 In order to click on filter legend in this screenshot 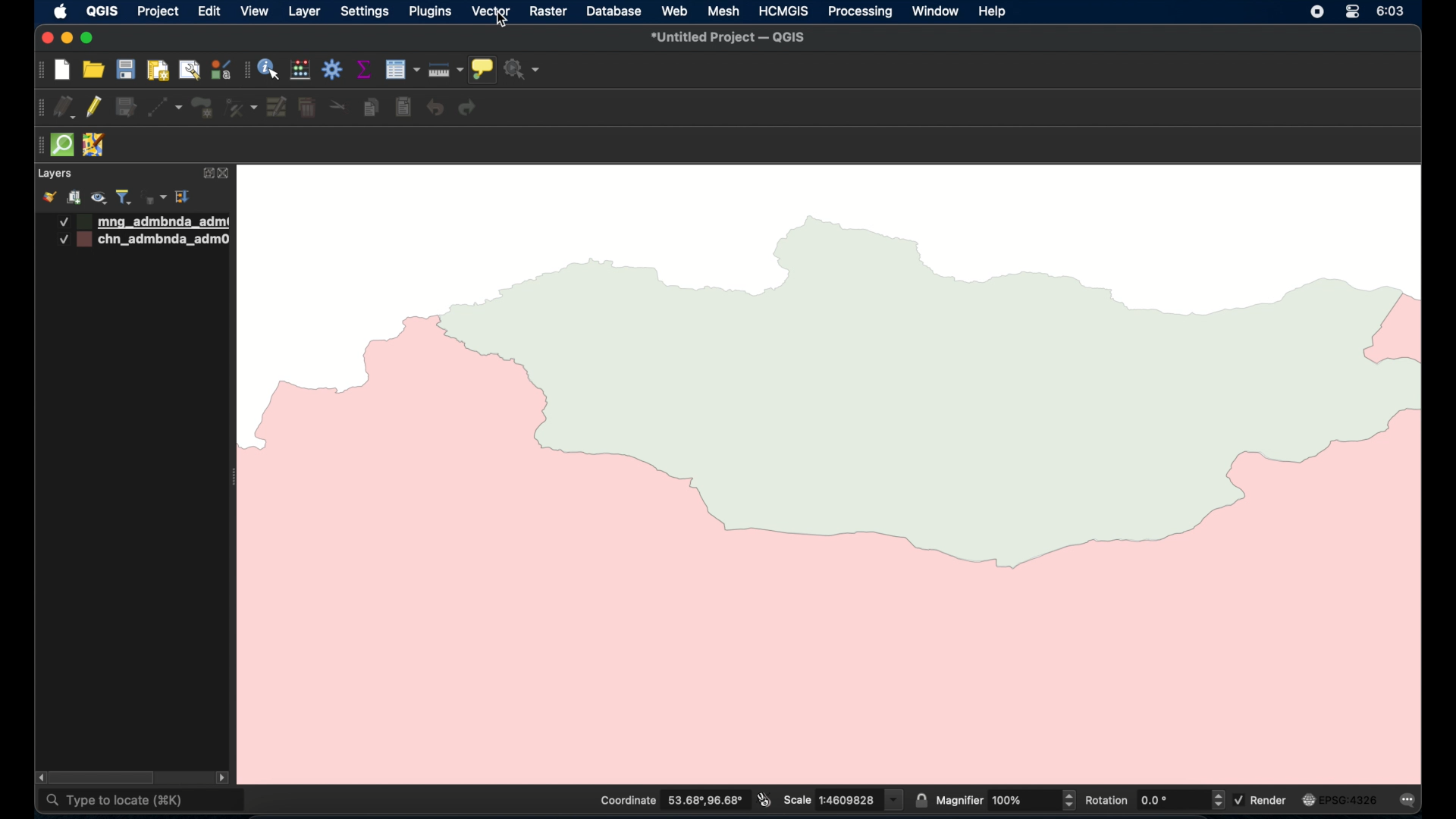, I will do `click(124, 197)`.